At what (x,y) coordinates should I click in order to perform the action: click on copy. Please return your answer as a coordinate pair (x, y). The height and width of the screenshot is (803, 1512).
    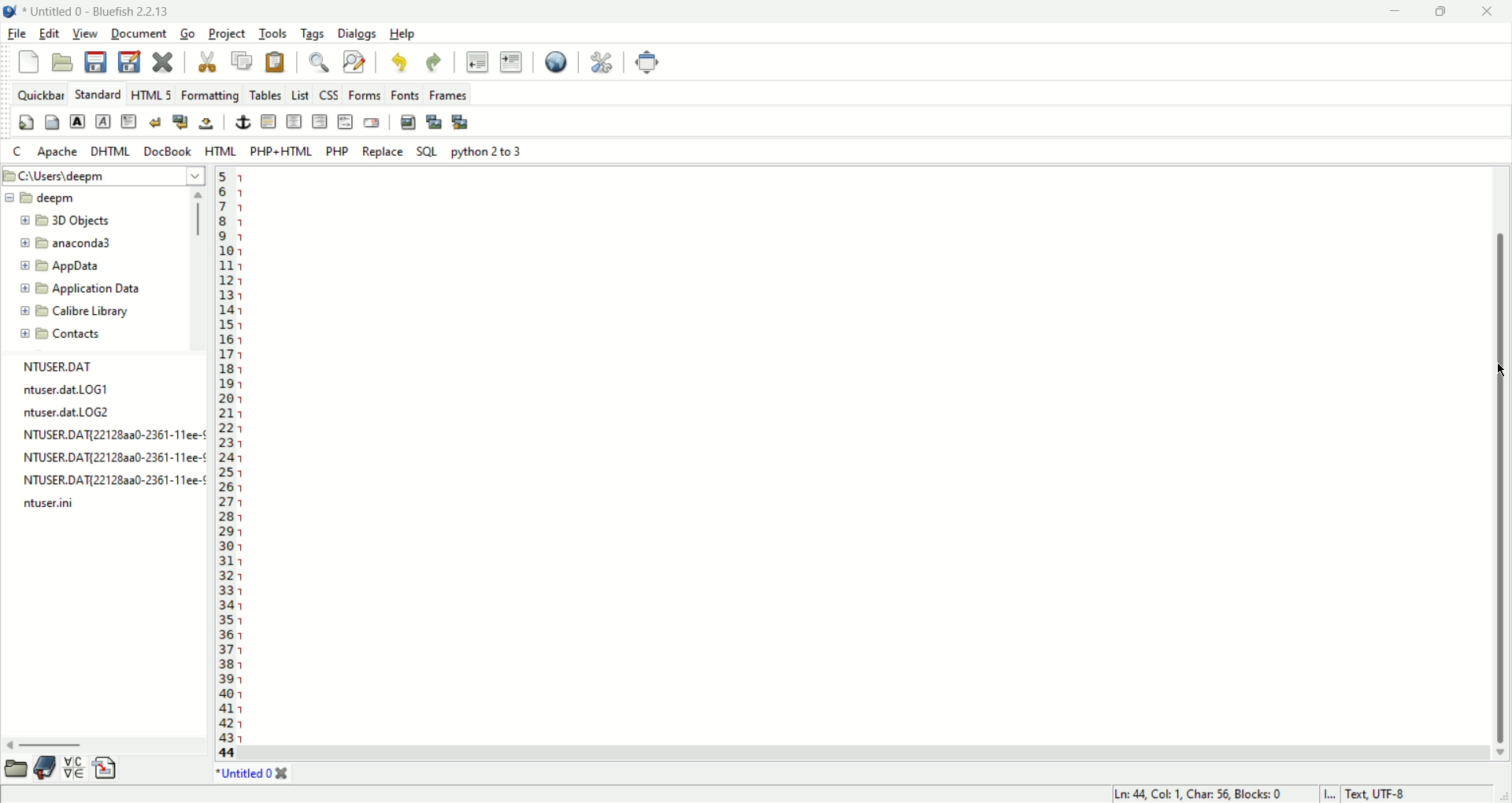
    Looking at the image, I should click on (244, 61).